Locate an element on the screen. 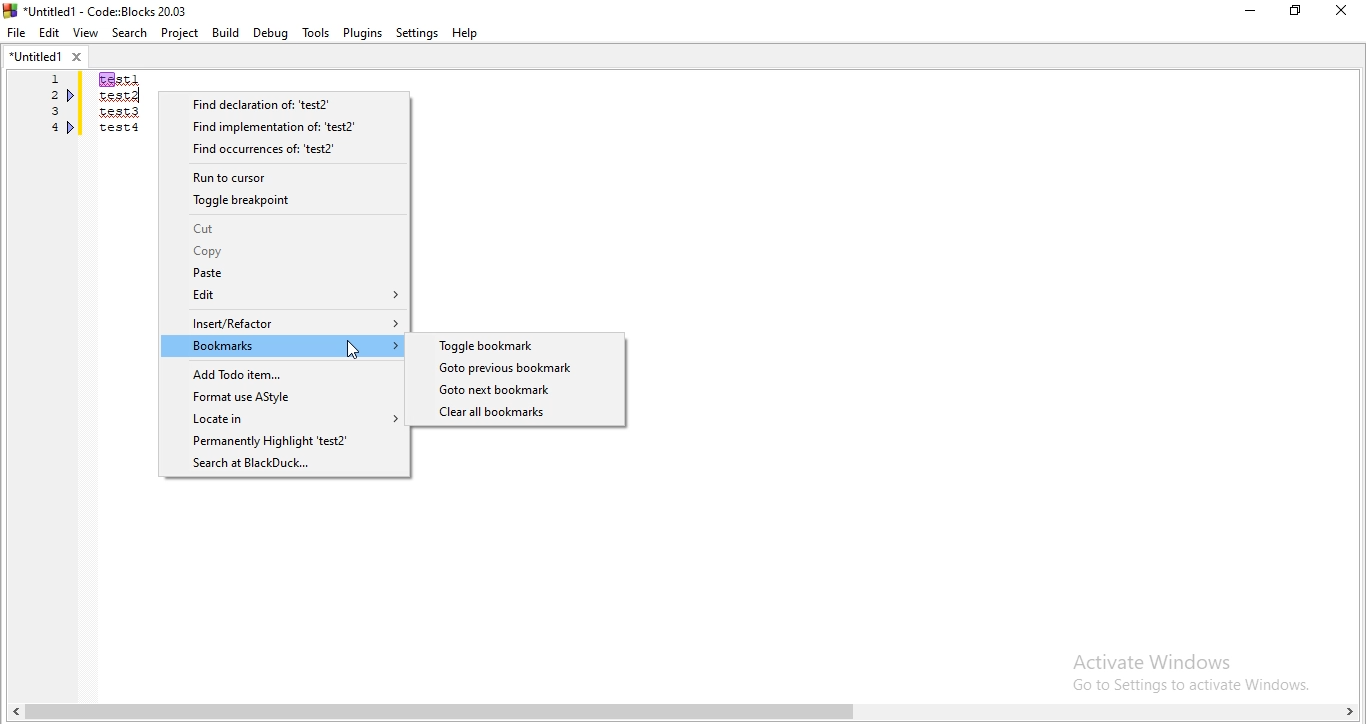 The image size is (1366, 724). Add Todo item.. is located at coordinates (282, 371).